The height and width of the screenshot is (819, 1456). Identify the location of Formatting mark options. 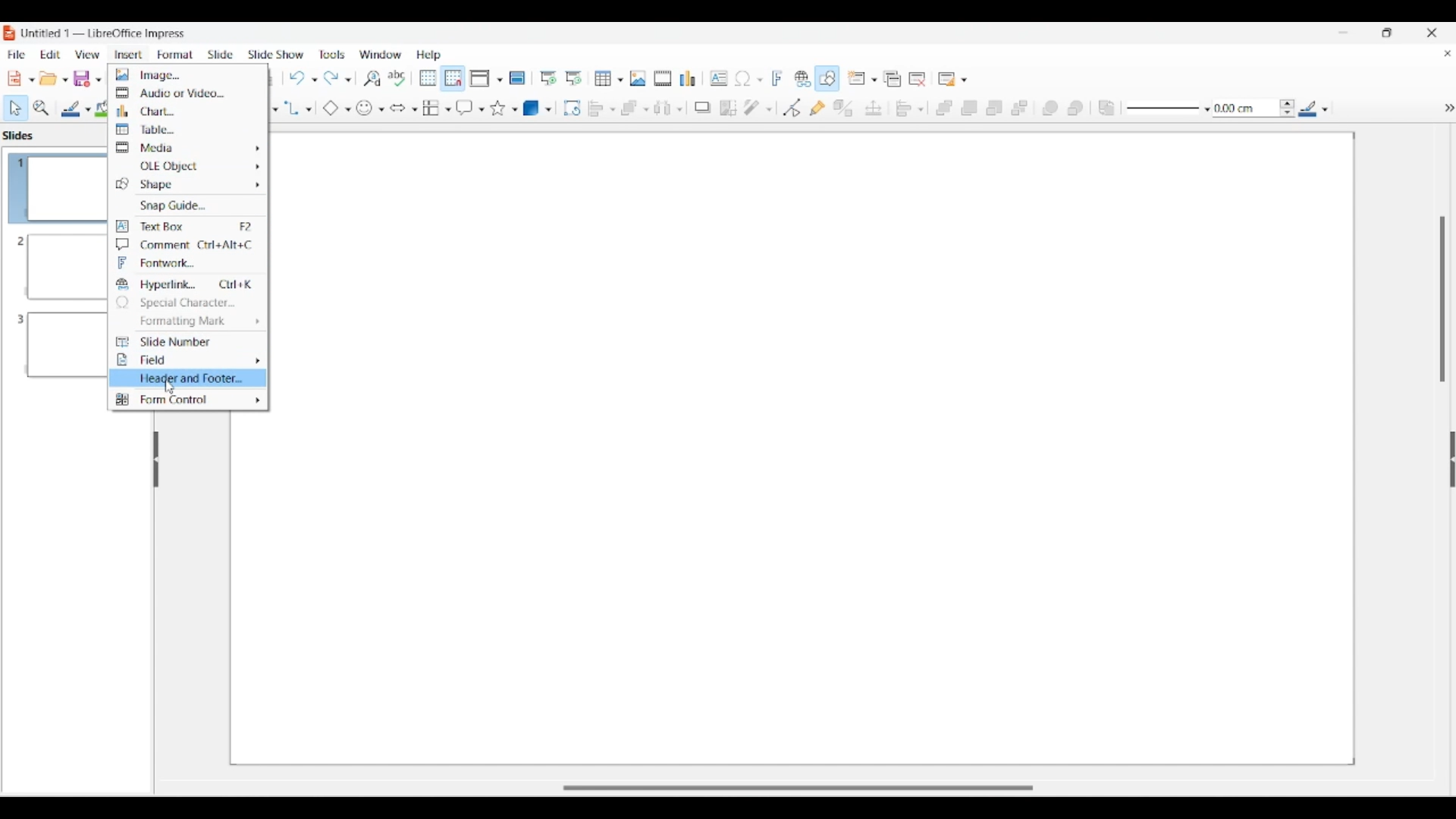
(189, 322).